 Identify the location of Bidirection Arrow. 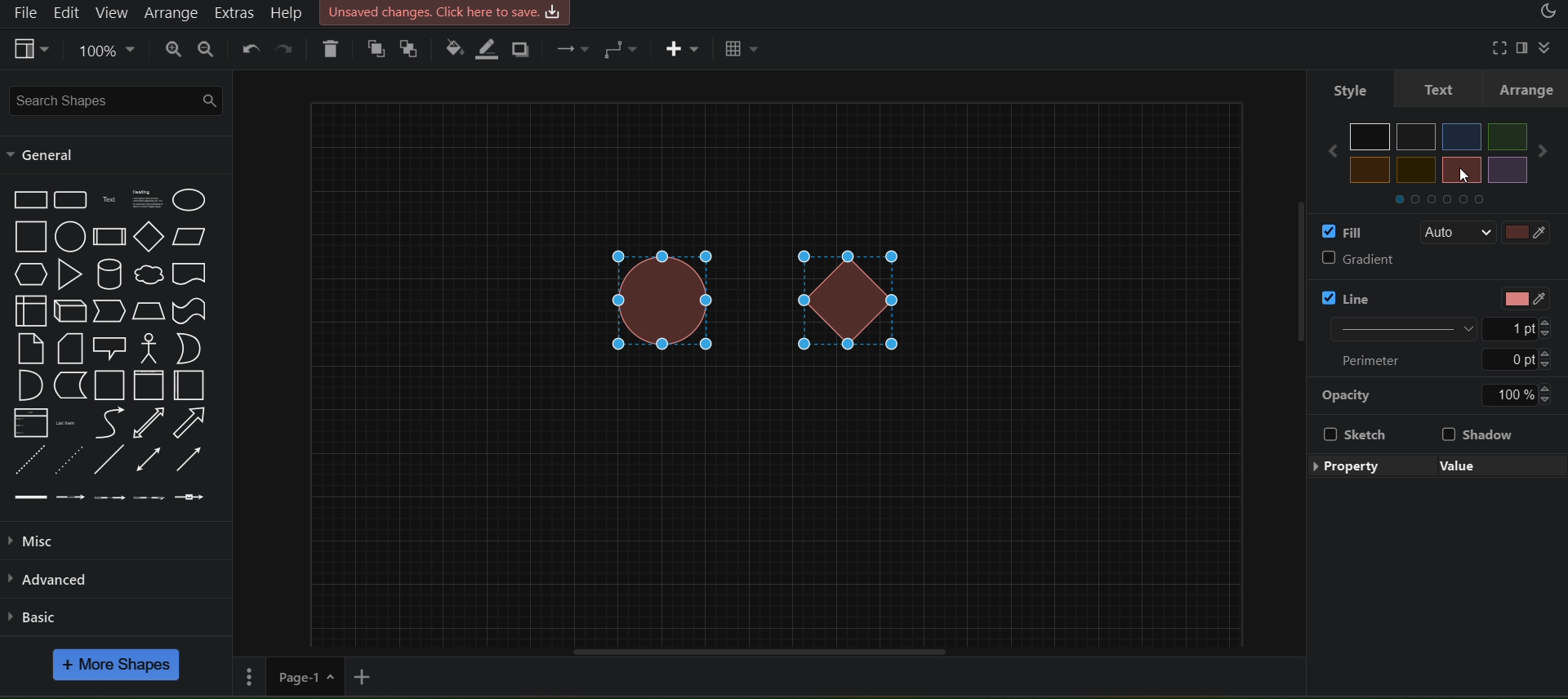
(148, 422).